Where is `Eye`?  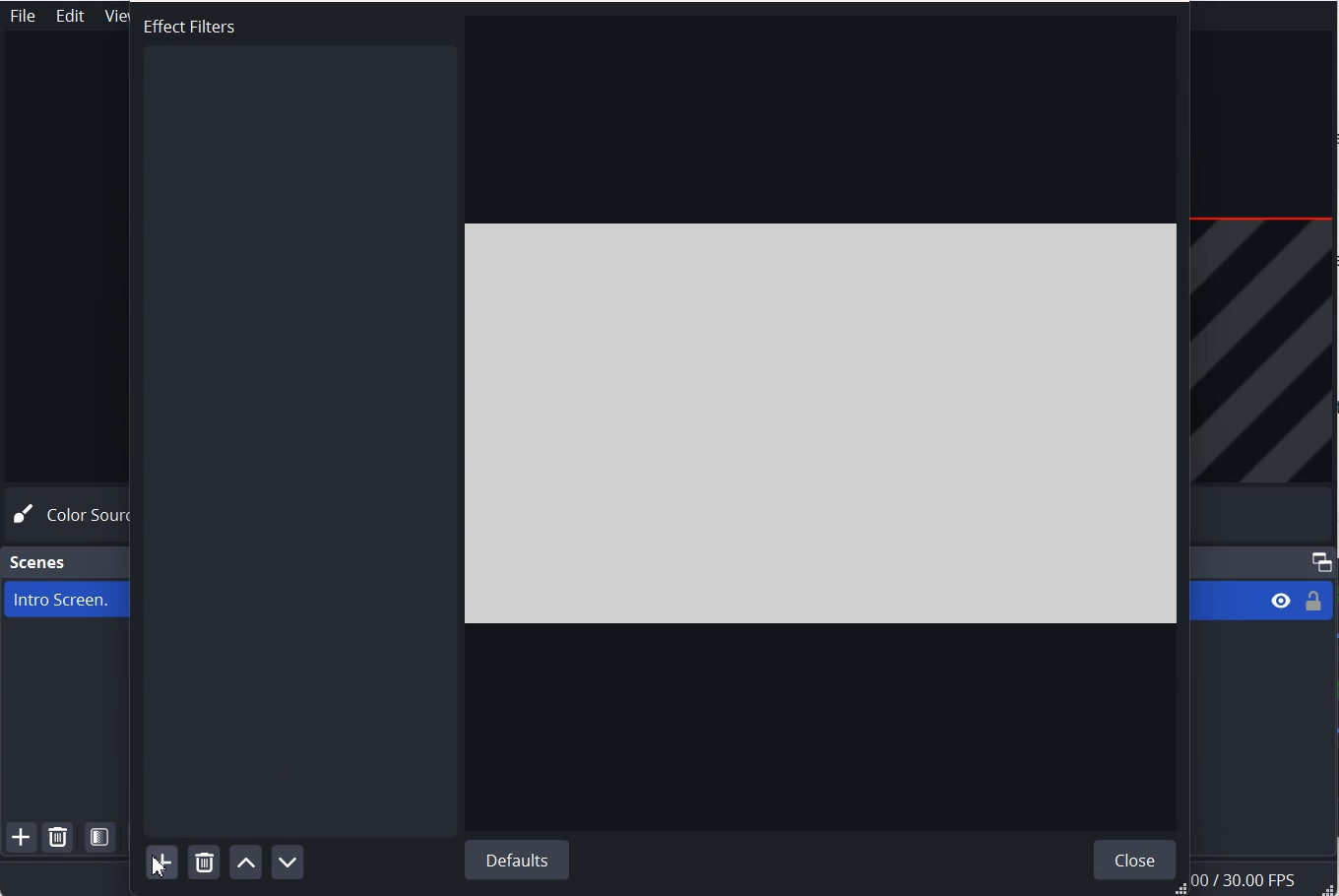 Eye is located at coordinates (1281, 601).